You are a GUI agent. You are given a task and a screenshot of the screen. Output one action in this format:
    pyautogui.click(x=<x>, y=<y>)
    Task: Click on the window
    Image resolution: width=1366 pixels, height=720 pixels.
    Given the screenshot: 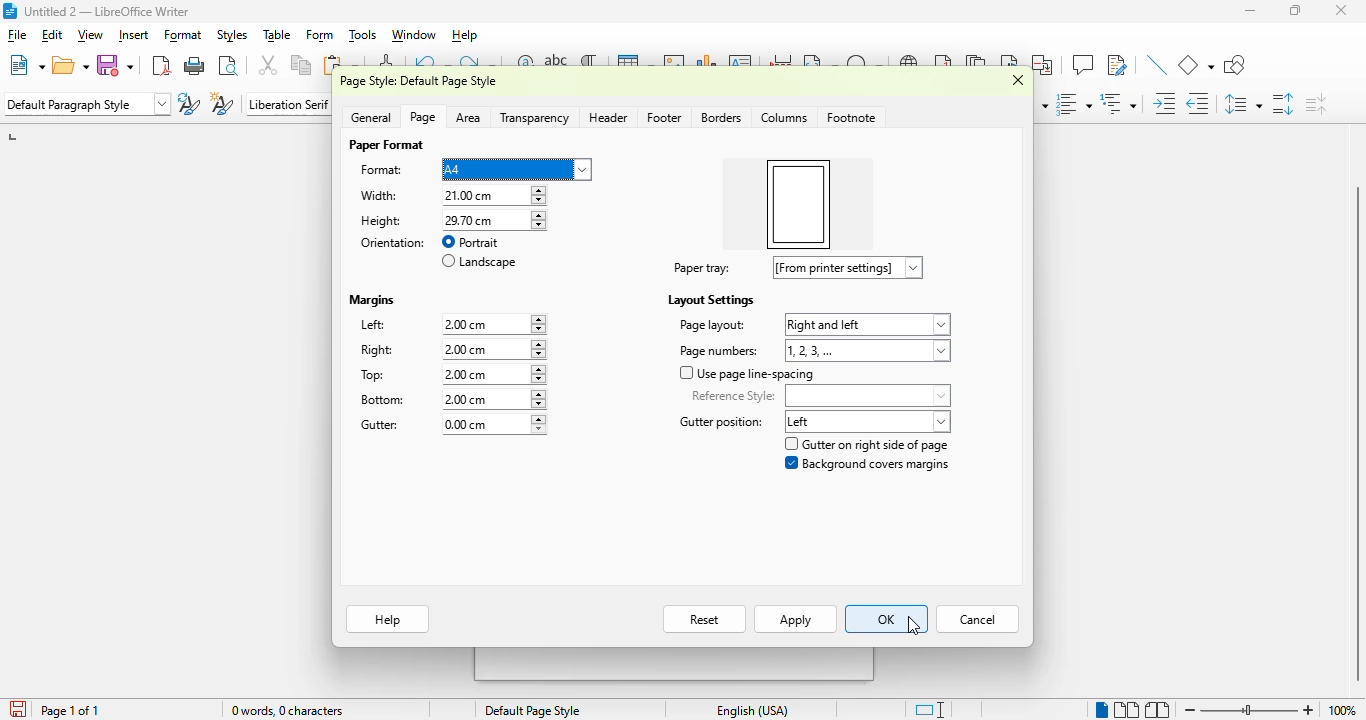 What is the action you would take?
    pyautogui.click(x=414, y=34)
    